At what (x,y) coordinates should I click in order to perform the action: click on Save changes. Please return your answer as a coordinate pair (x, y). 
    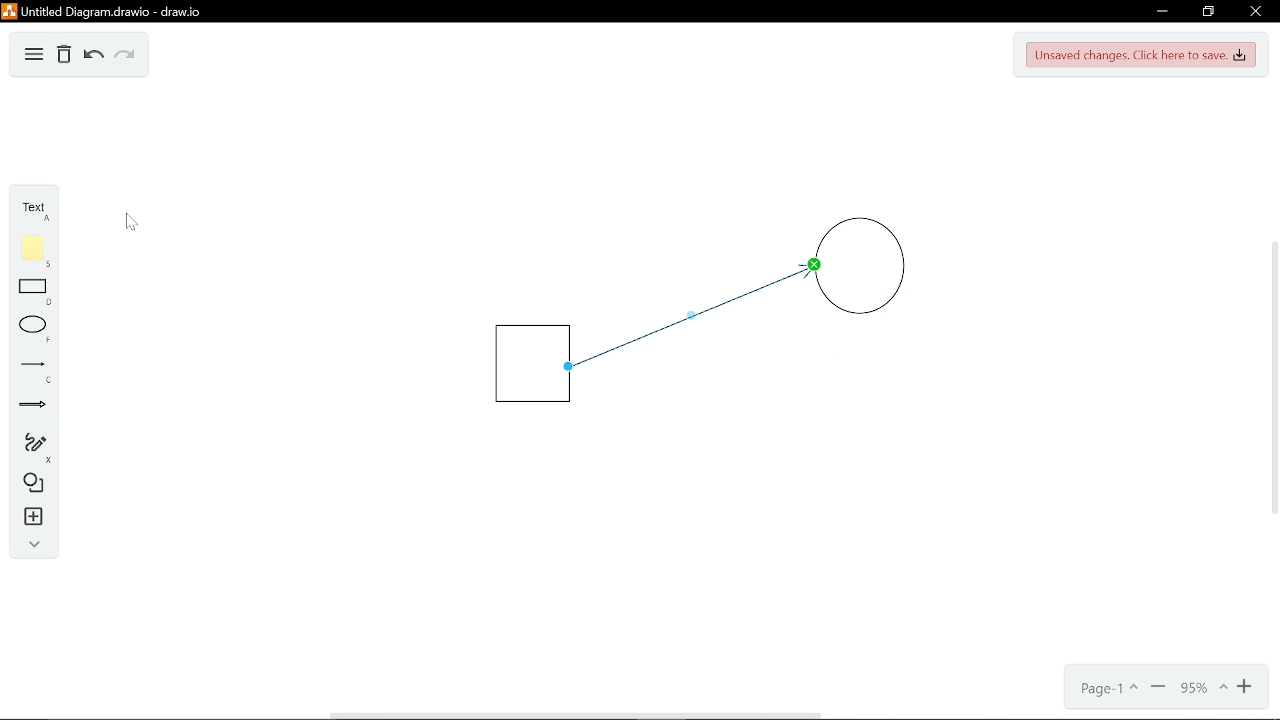
    Looking at the image, I should click on (1141, 54).